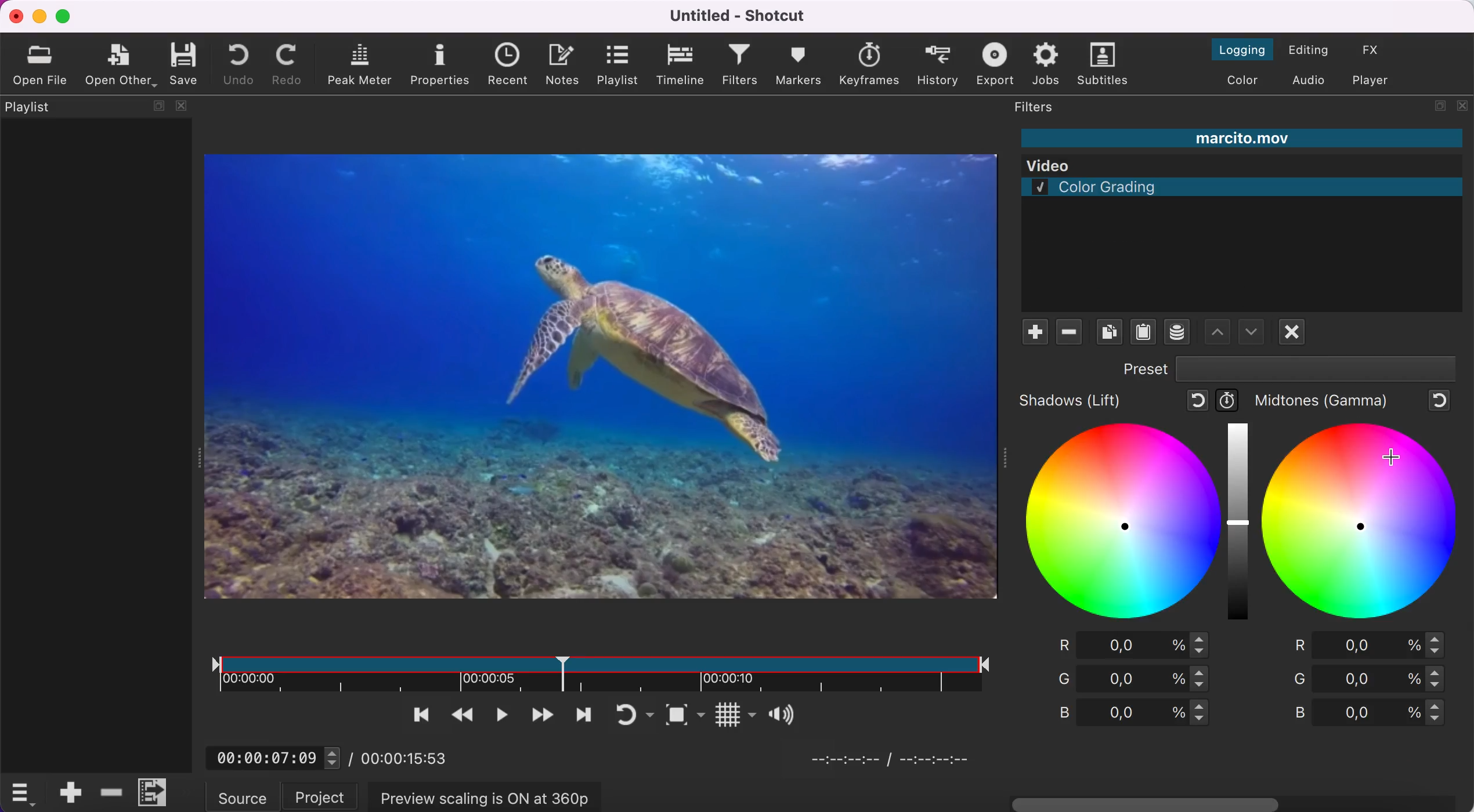  Describe the element at coordinates (1043, 66) in the screenshot. I see `jobs` at that location.